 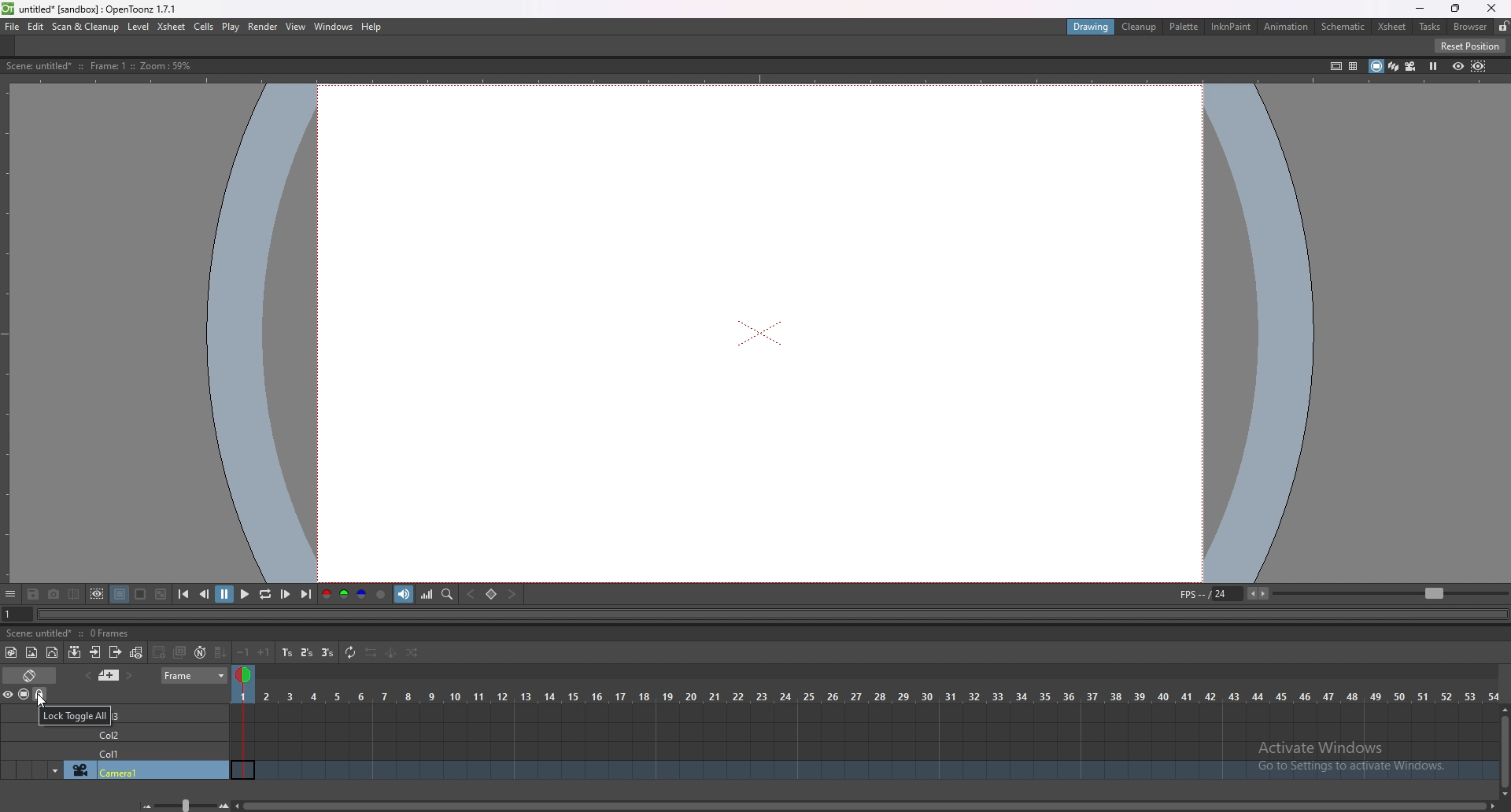 I want to click on minimize, so click(x=1420, y=8).